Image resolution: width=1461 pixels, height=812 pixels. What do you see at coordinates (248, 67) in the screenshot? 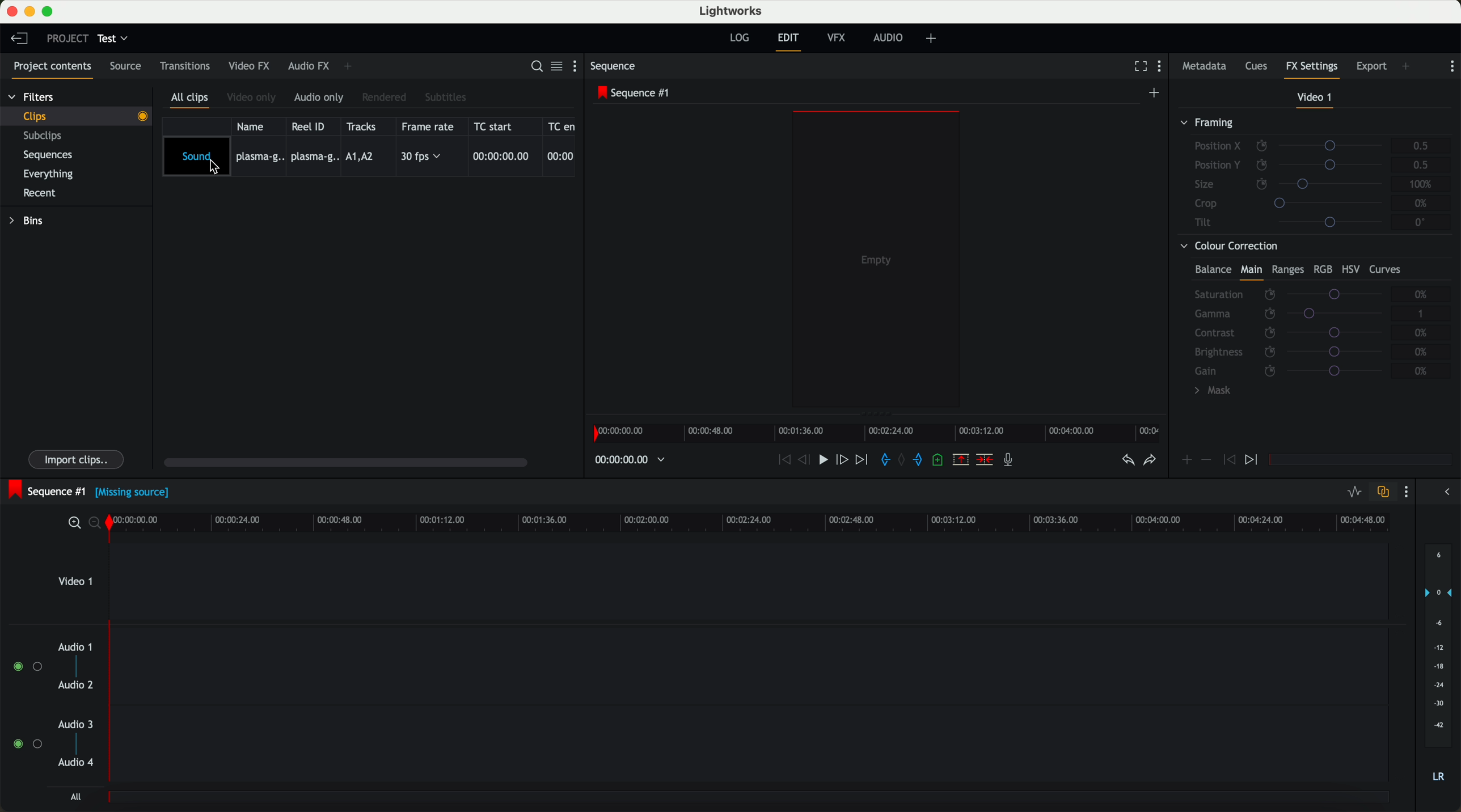
I see `video FX` at bounding box center [248, 67].